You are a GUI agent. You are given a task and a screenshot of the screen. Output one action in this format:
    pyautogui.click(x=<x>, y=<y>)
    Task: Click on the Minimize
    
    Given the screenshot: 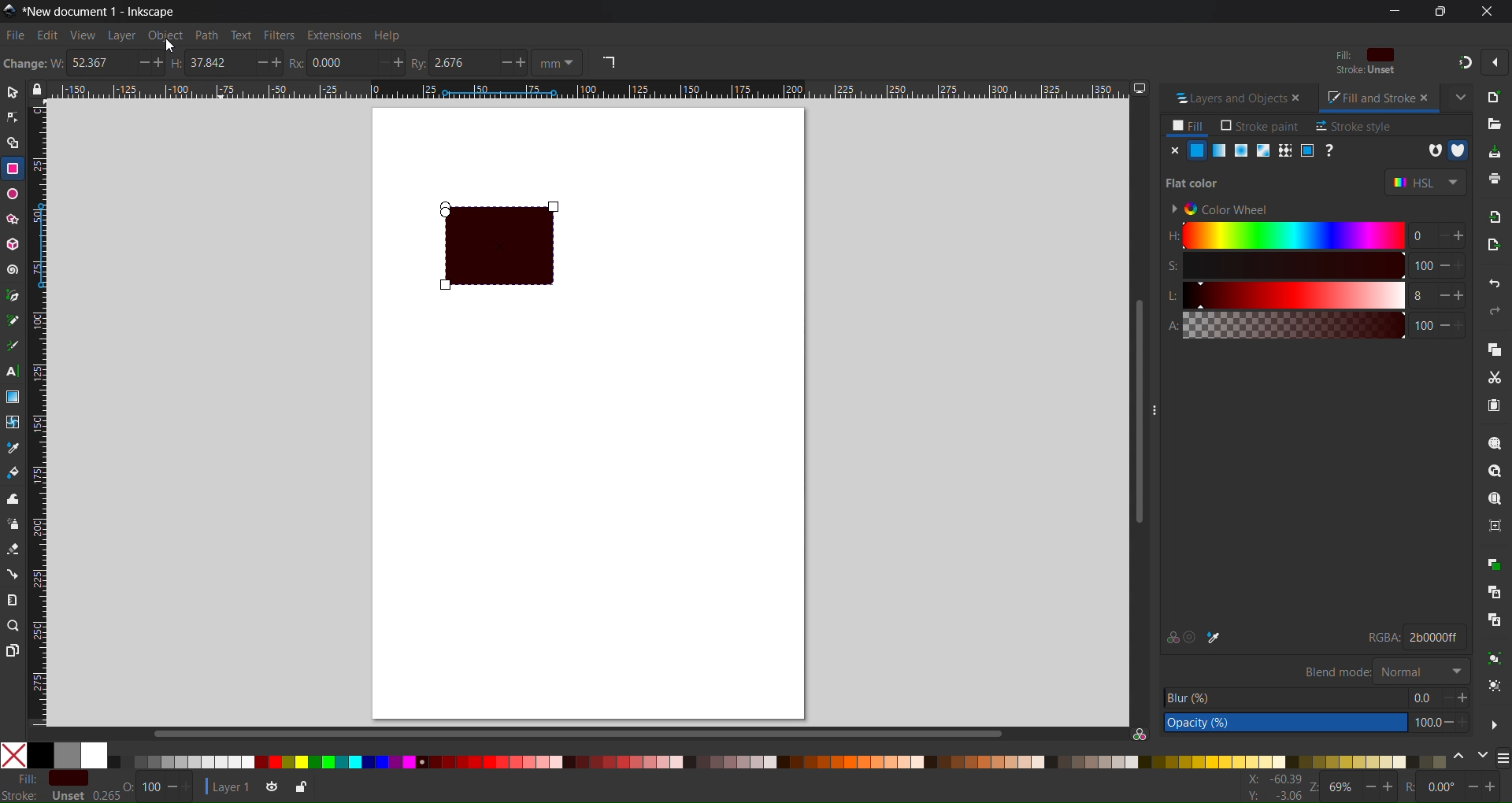 What is the action you would take?
    pyautogui.click(x=1394, y=11)
    